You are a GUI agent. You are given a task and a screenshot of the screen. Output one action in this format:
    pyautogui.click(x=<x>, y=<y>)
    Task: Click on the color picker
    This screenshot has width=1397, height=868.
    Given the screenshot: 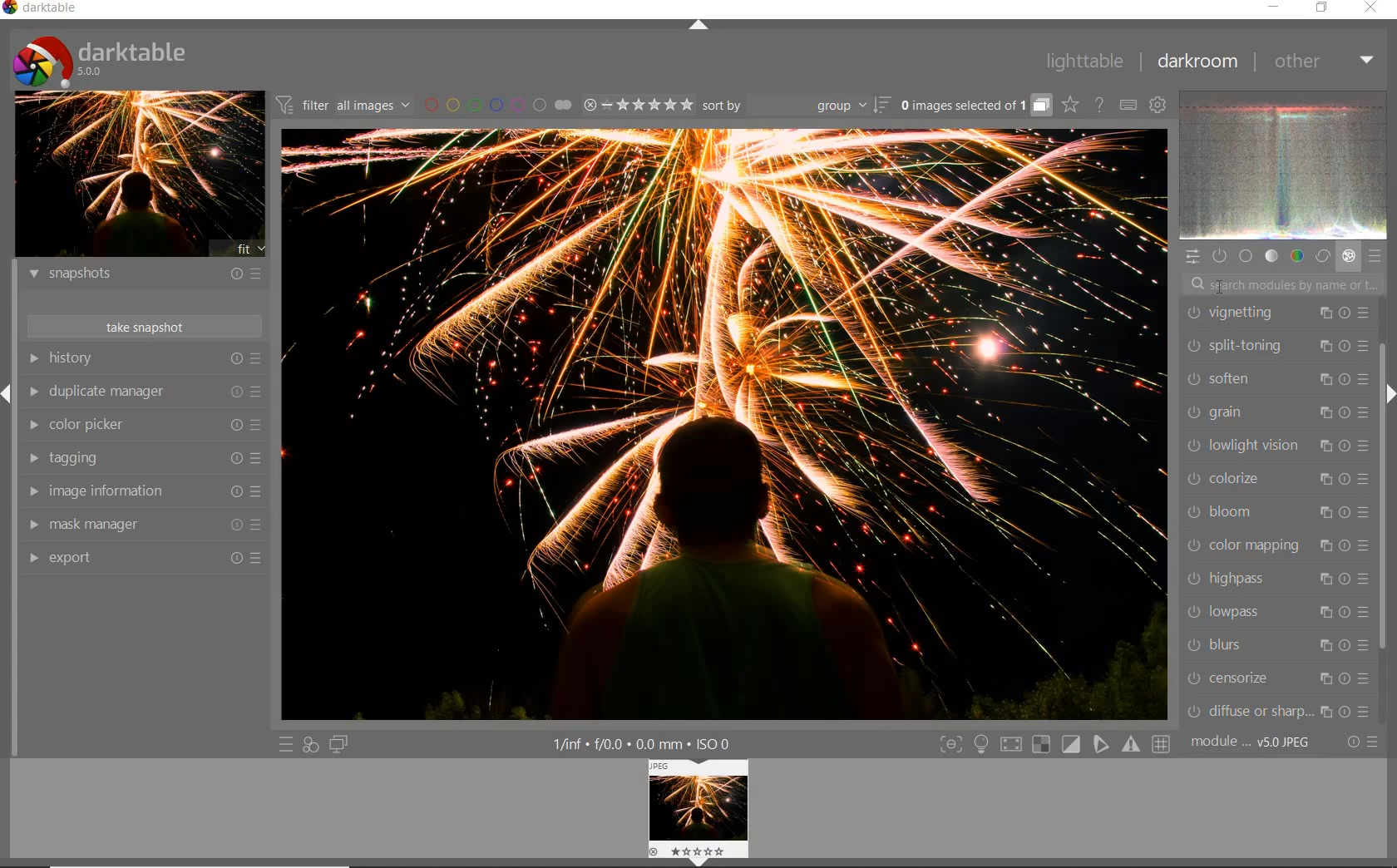 What is the action you would take?
    pyautogui.click(x=143, y=427)
    